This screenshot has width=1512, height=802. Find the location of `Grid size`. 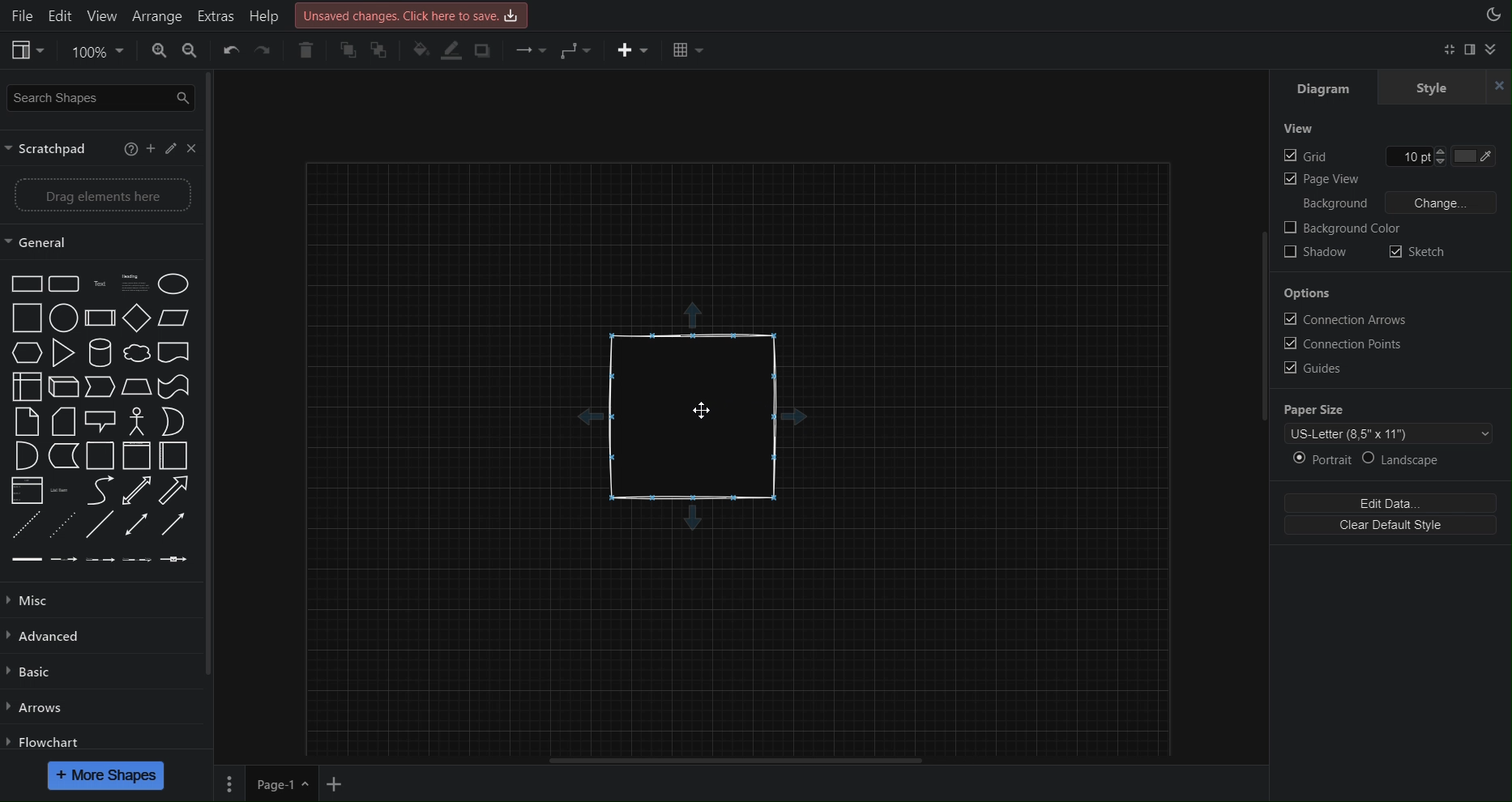

Grid size is located at coordinates (1420, 156).